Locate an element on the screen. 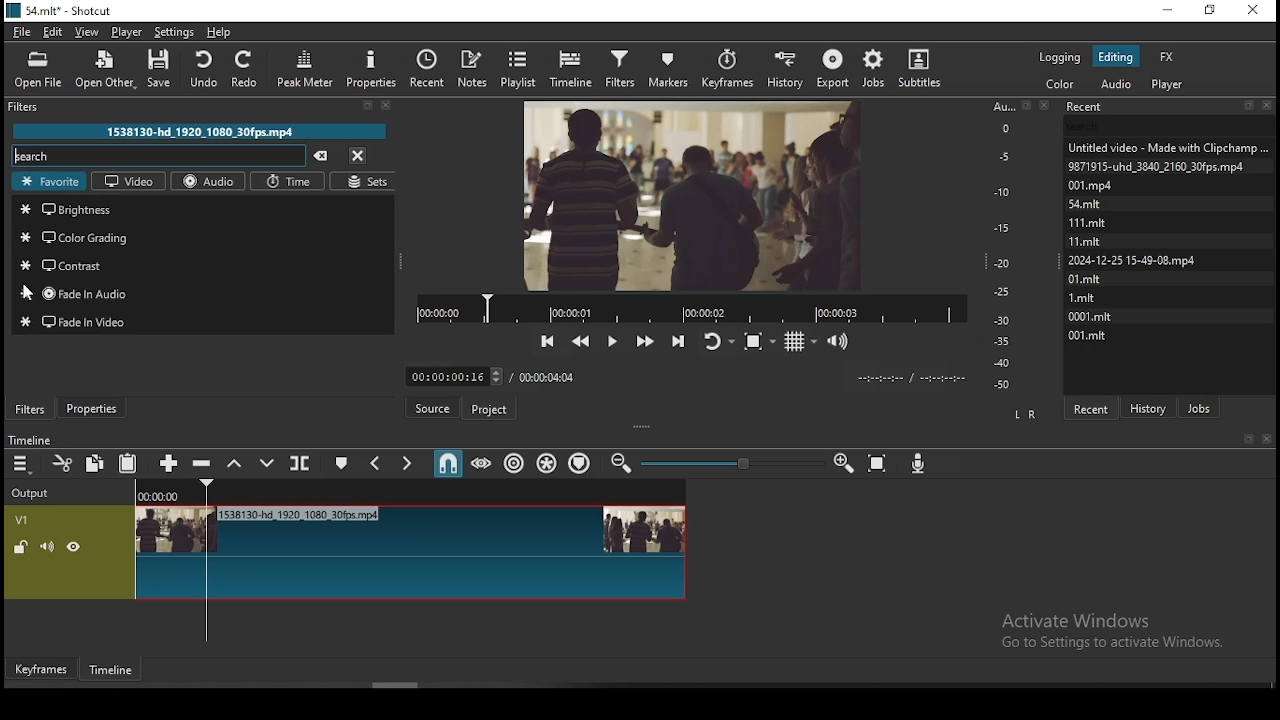 This screenshot has width=1280, height=720. help is located at coordinates (219, 32).